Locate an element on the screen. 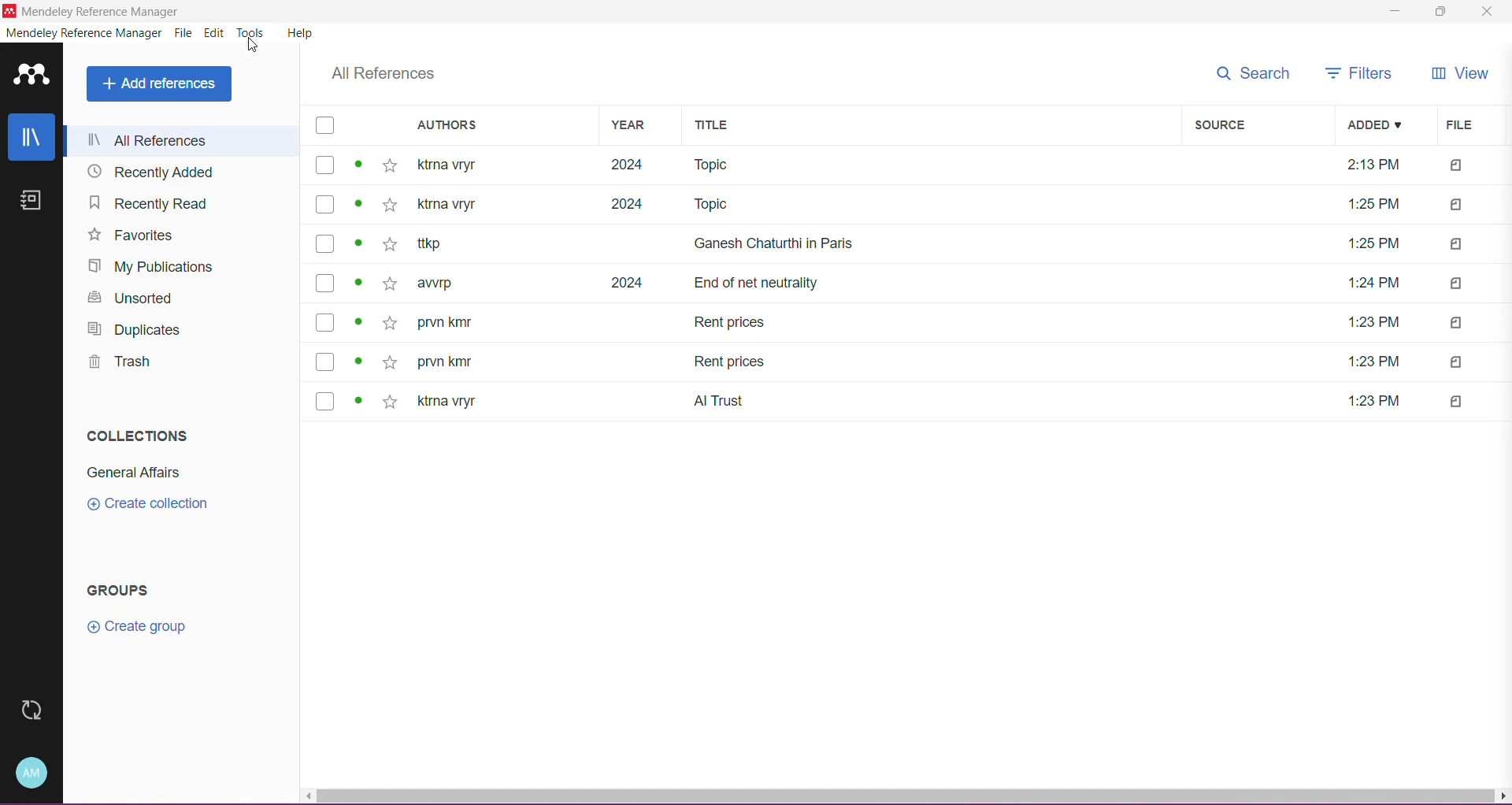 This screenshot has height=805, width=1512. time is located at coordinates (1373, 205).